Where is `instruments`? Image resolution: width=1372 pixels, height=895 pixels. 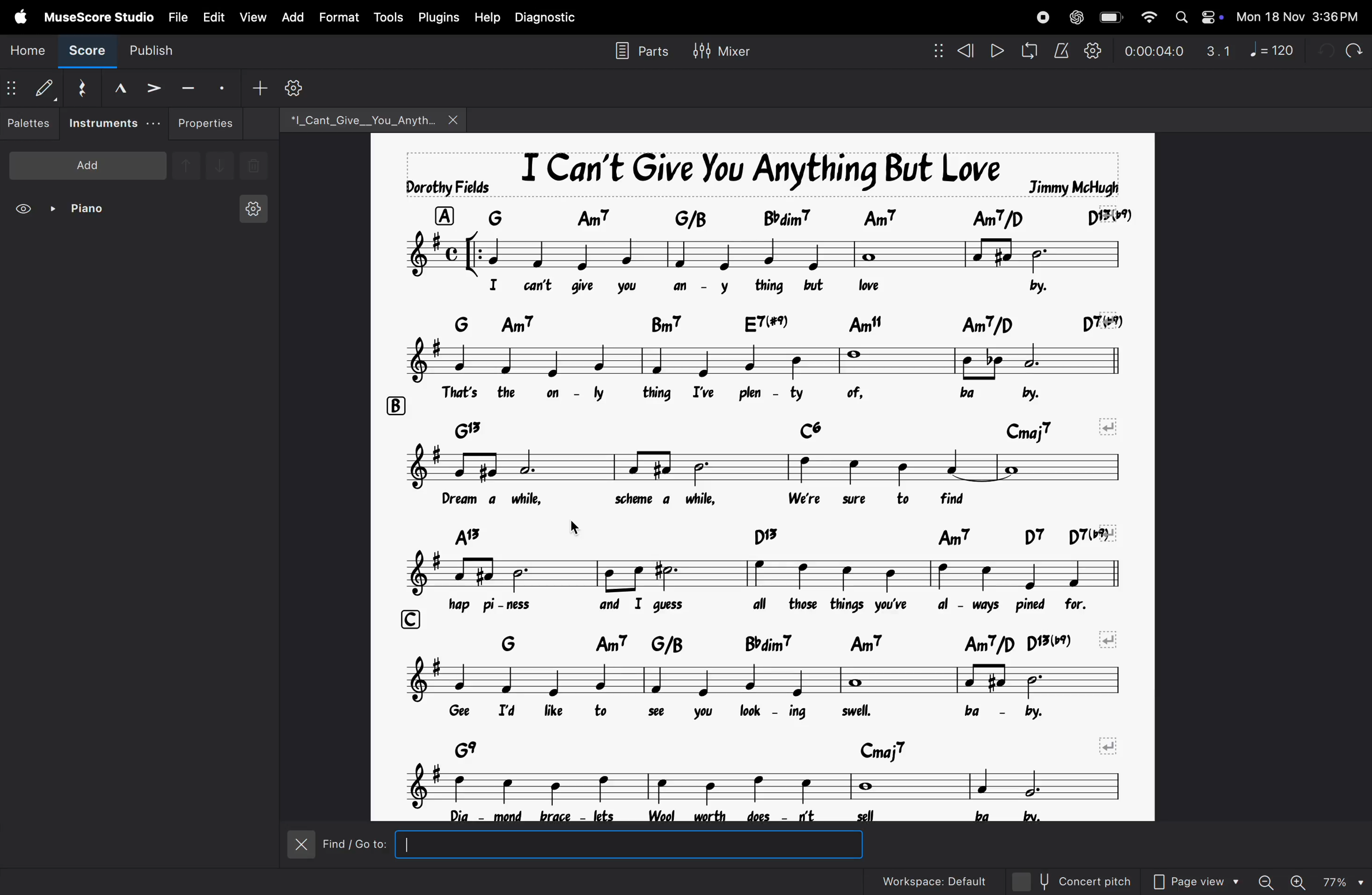 instruments is located at coordinates (114, 122).